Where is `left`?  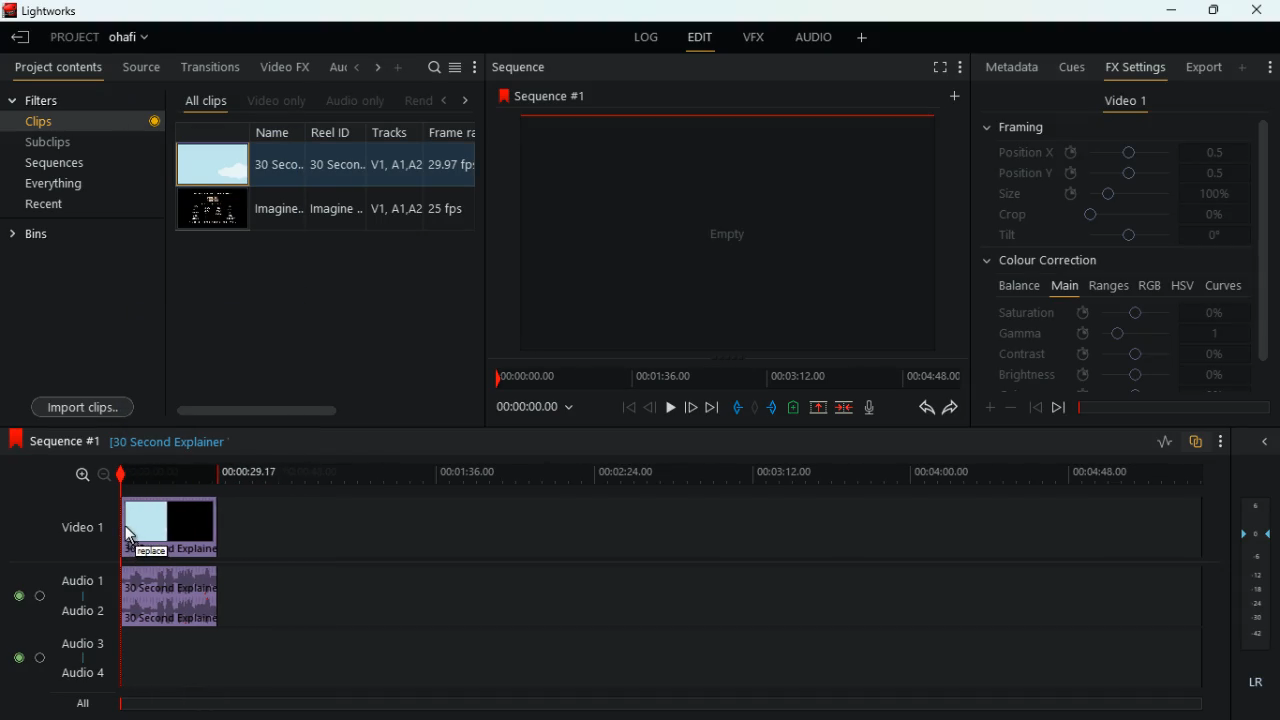 left is located at coordinates (358, 68).